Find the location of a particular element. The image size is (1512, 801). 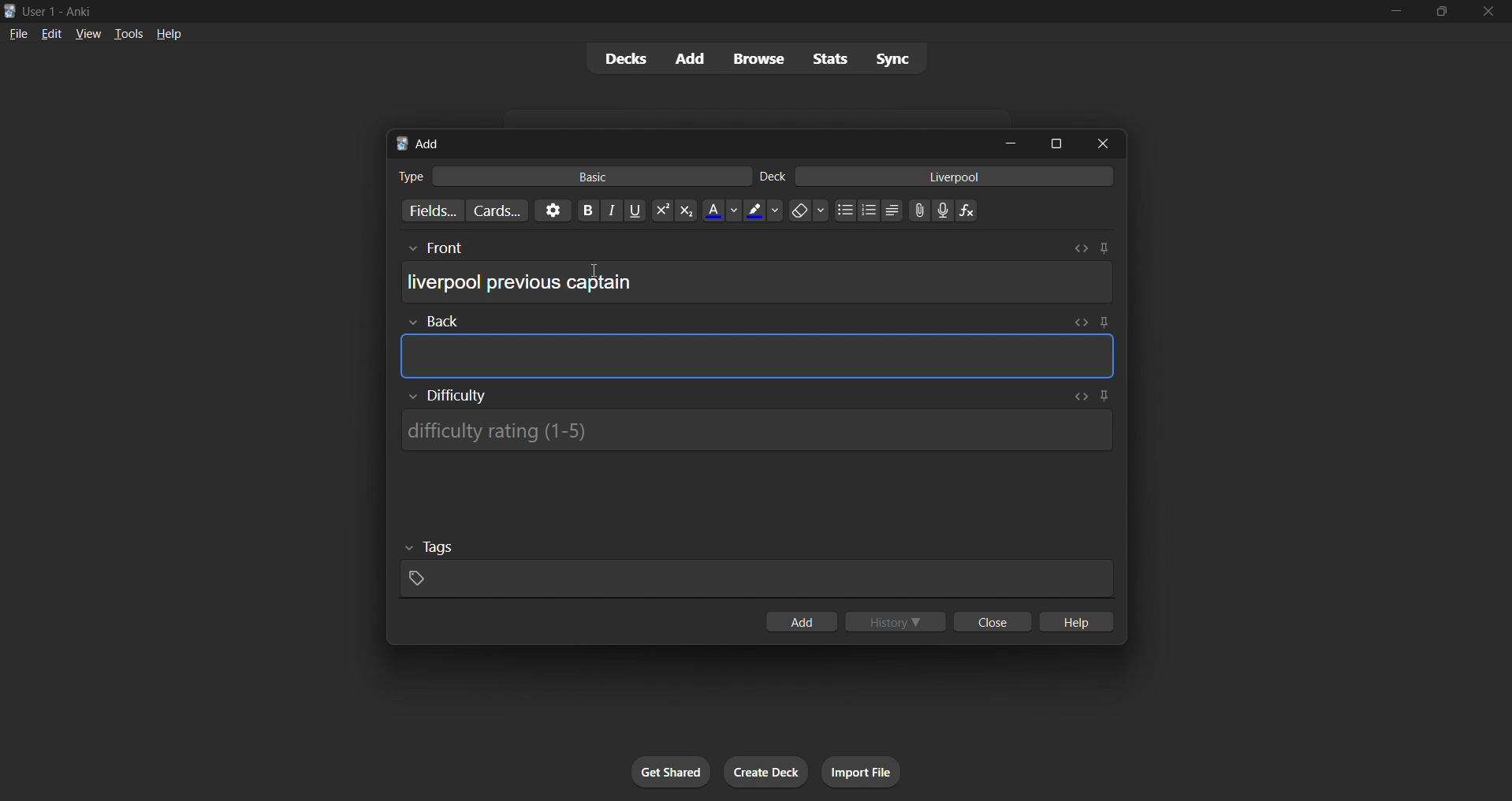

minimize is located at coordinates (1014, 144).